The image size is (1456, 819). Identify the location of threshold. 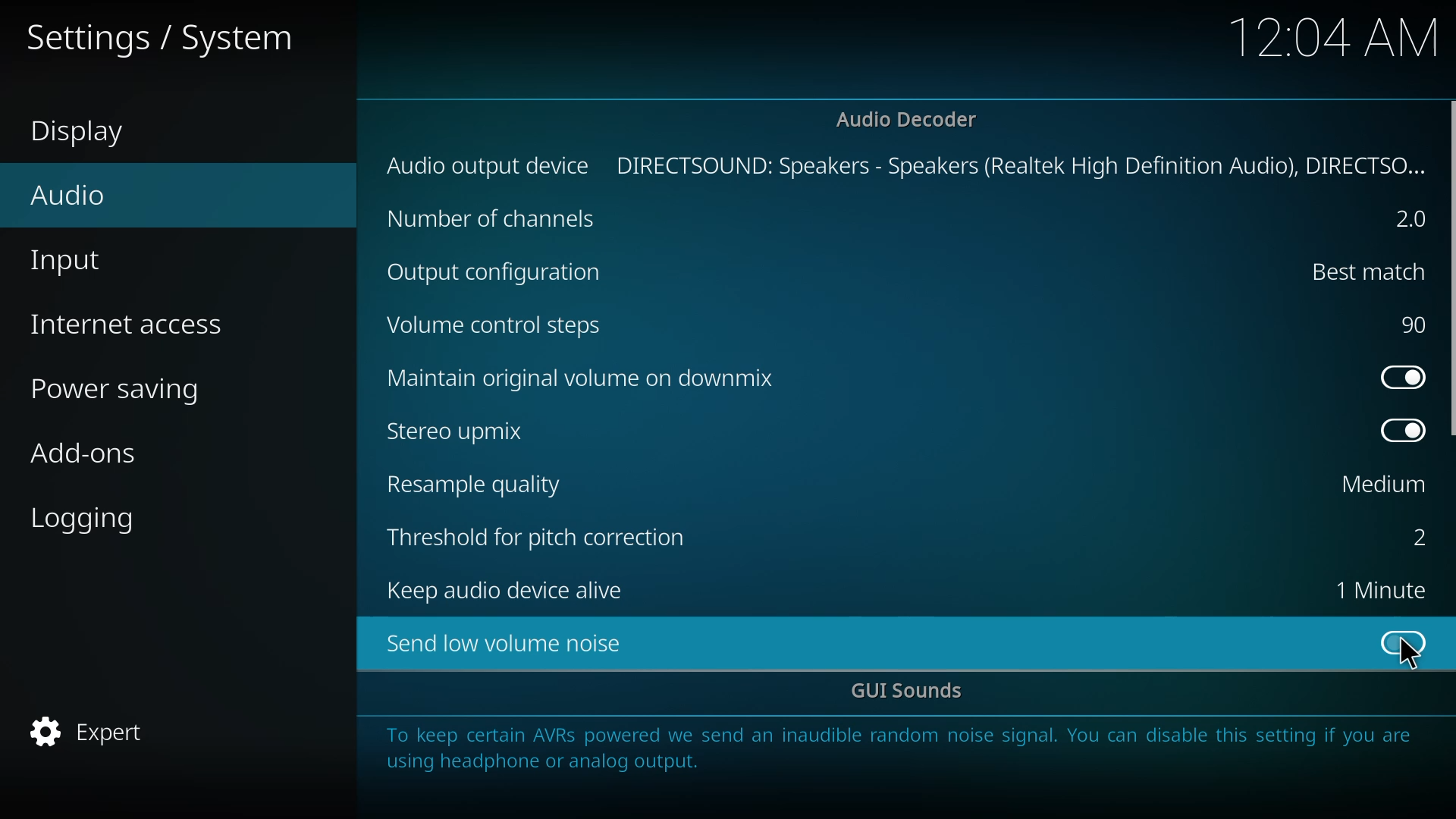
(541, 536).